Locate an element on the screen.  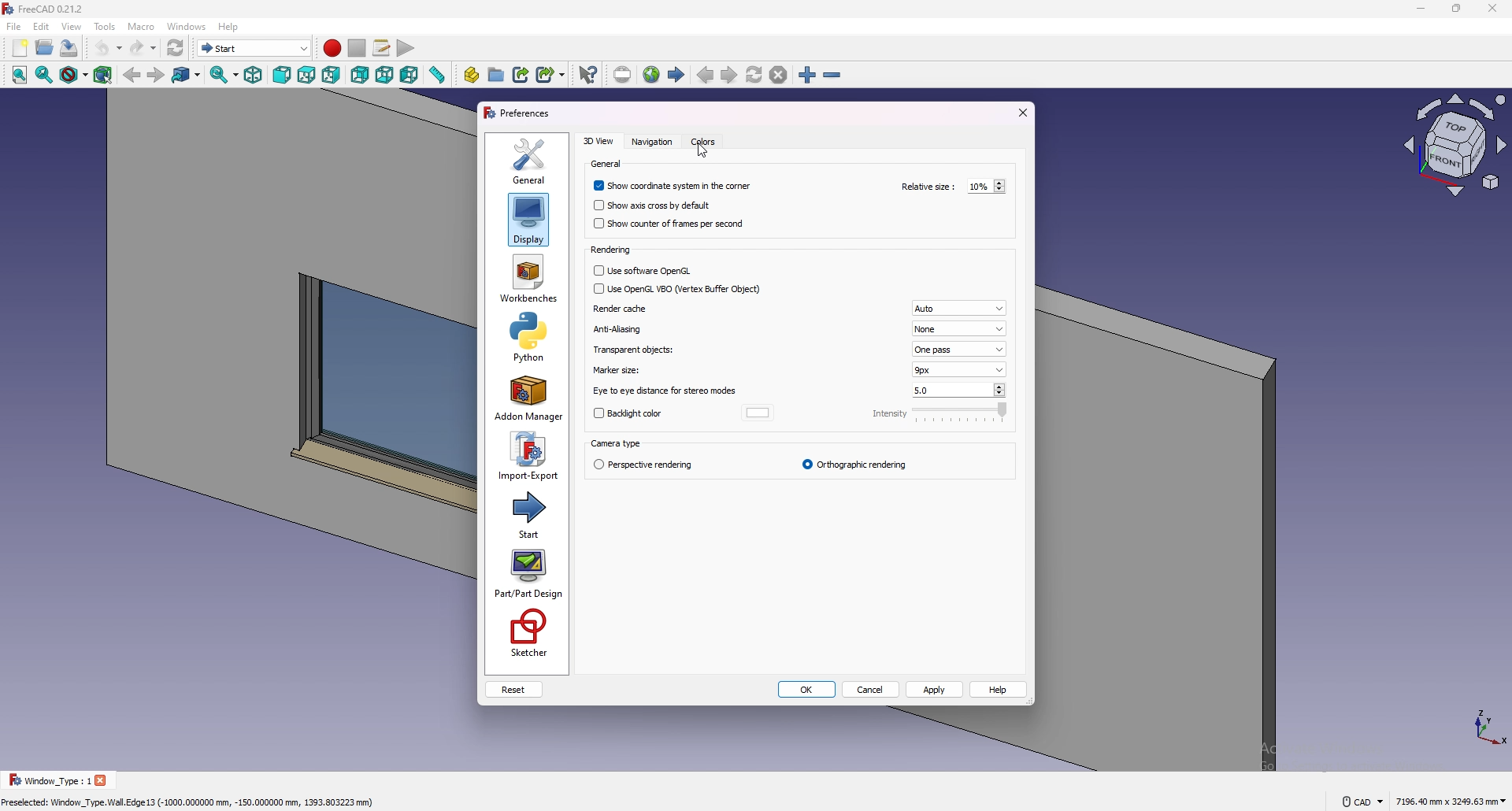
show coordinate system in the corner is located at coordinates (678, 186).